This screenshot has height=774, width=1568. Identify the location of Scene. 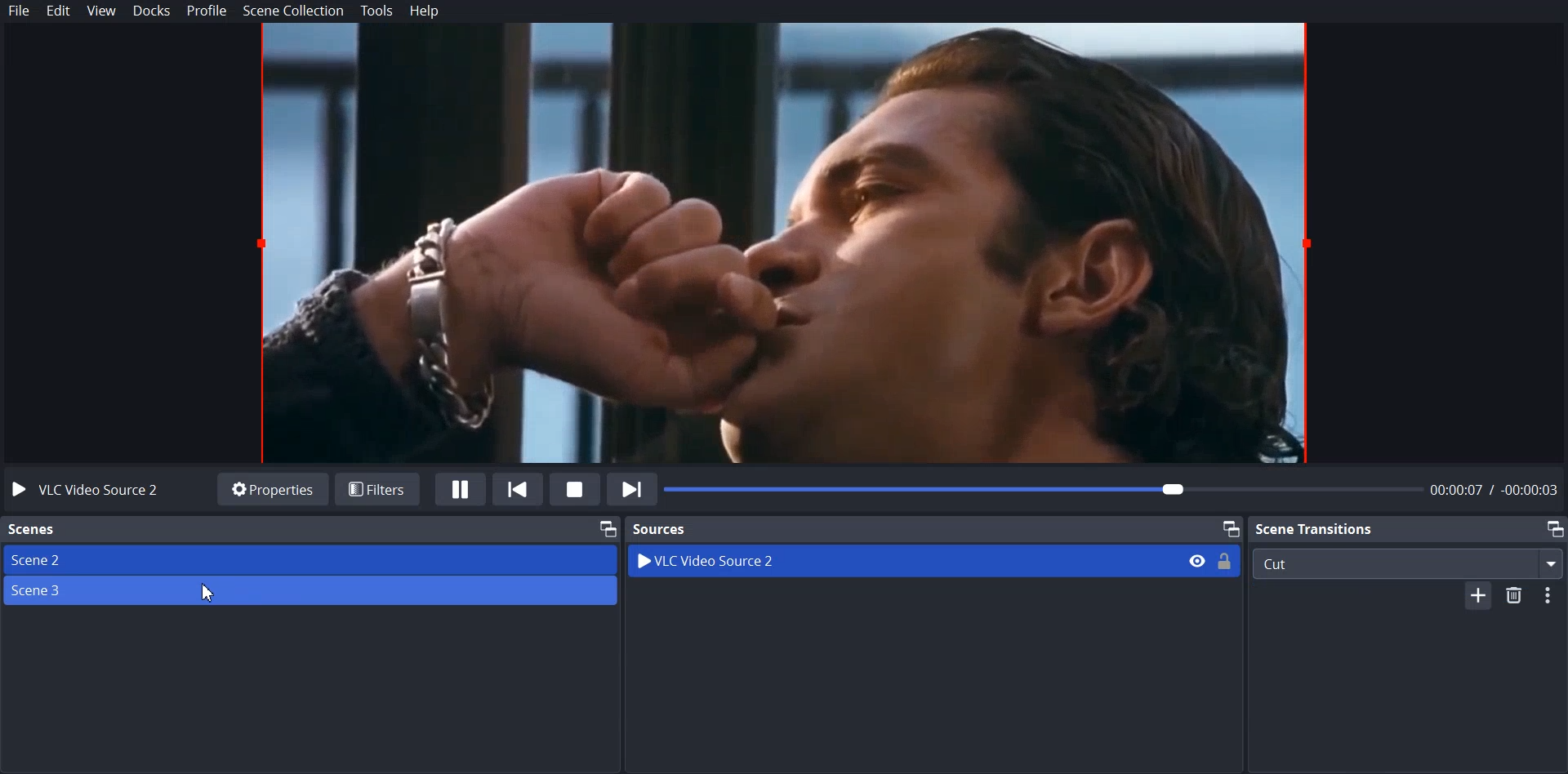
(33, 530).